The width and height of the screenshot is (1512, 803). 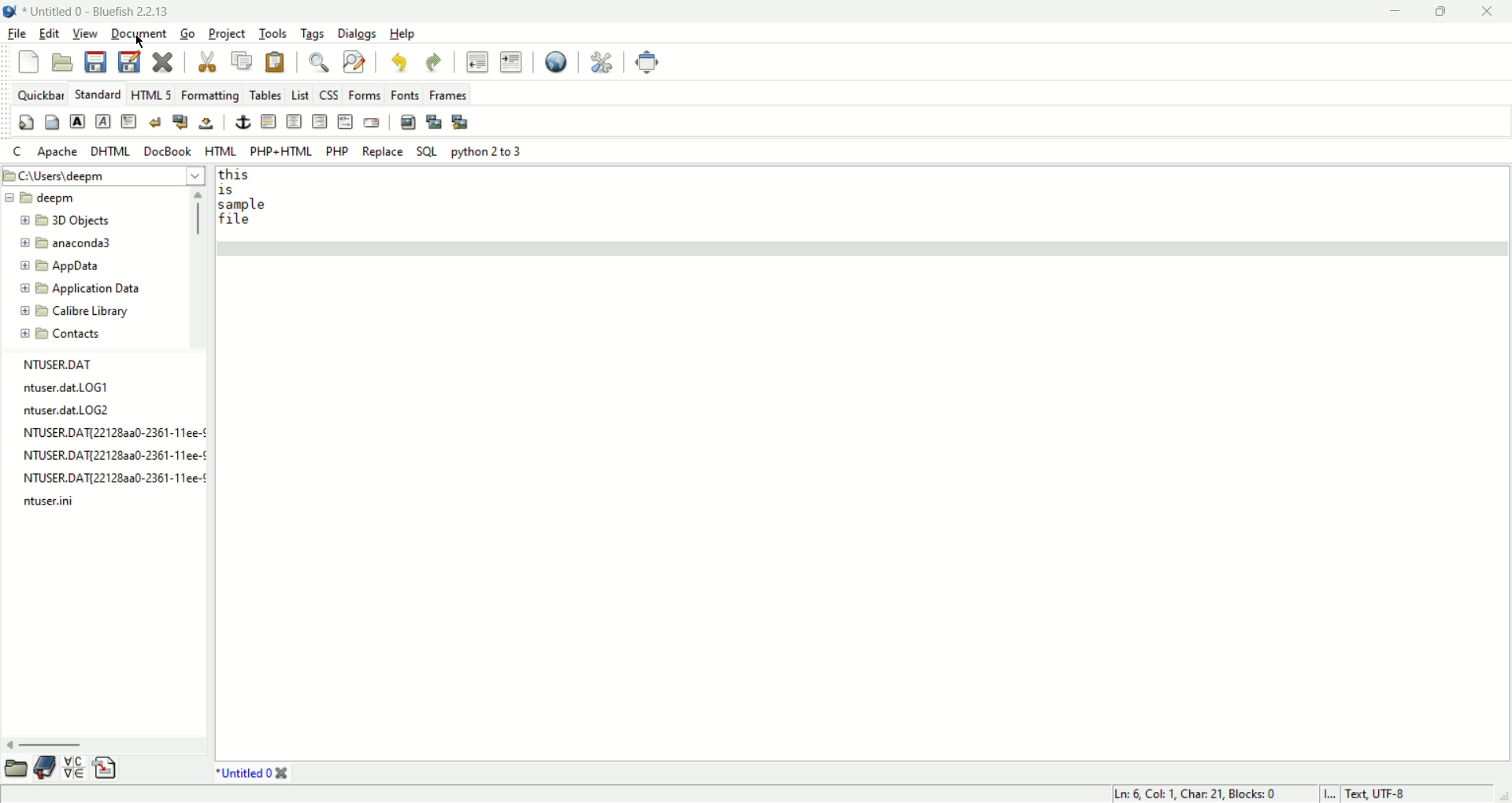 What do you see at coordinates (432, 120) in the screenshot?
I see `insert thumbnail` at bounding box center [432, 120].